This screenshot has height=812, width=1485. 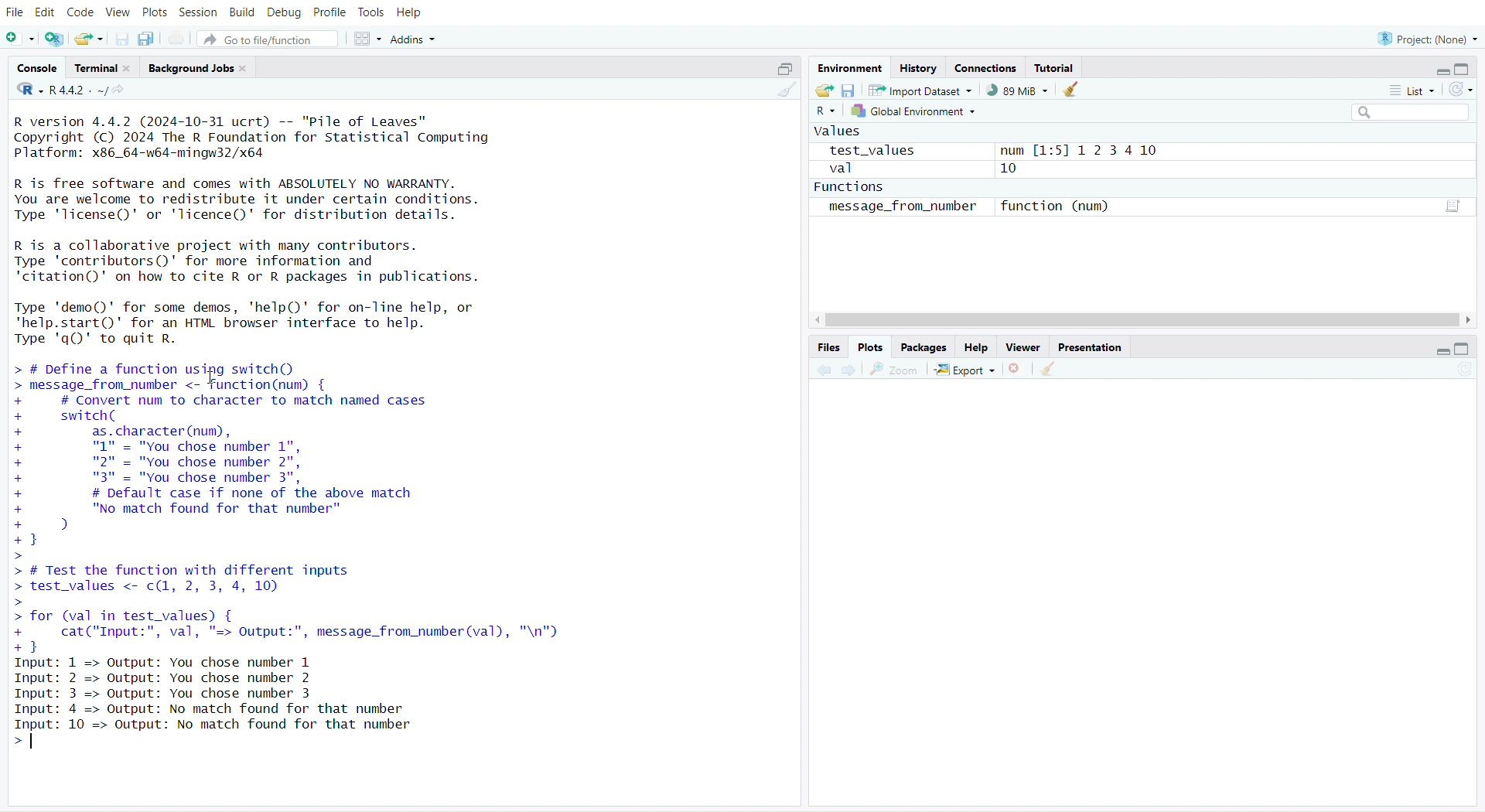 I want to click on Data/Table, so click(x=1452, y=210).